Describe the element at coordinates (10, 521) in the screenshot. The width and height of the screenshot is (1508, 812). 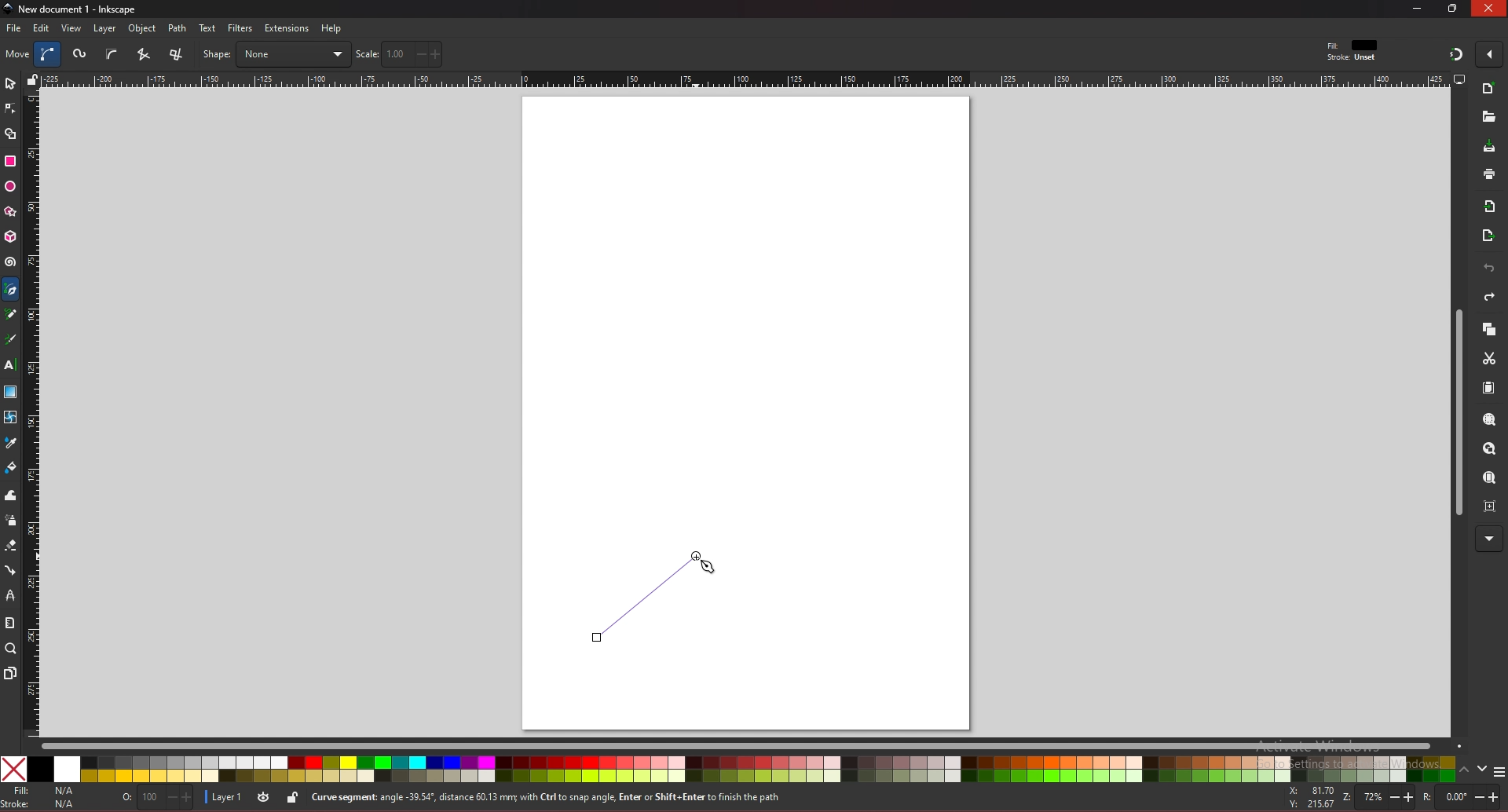
I see `spray` at that location.